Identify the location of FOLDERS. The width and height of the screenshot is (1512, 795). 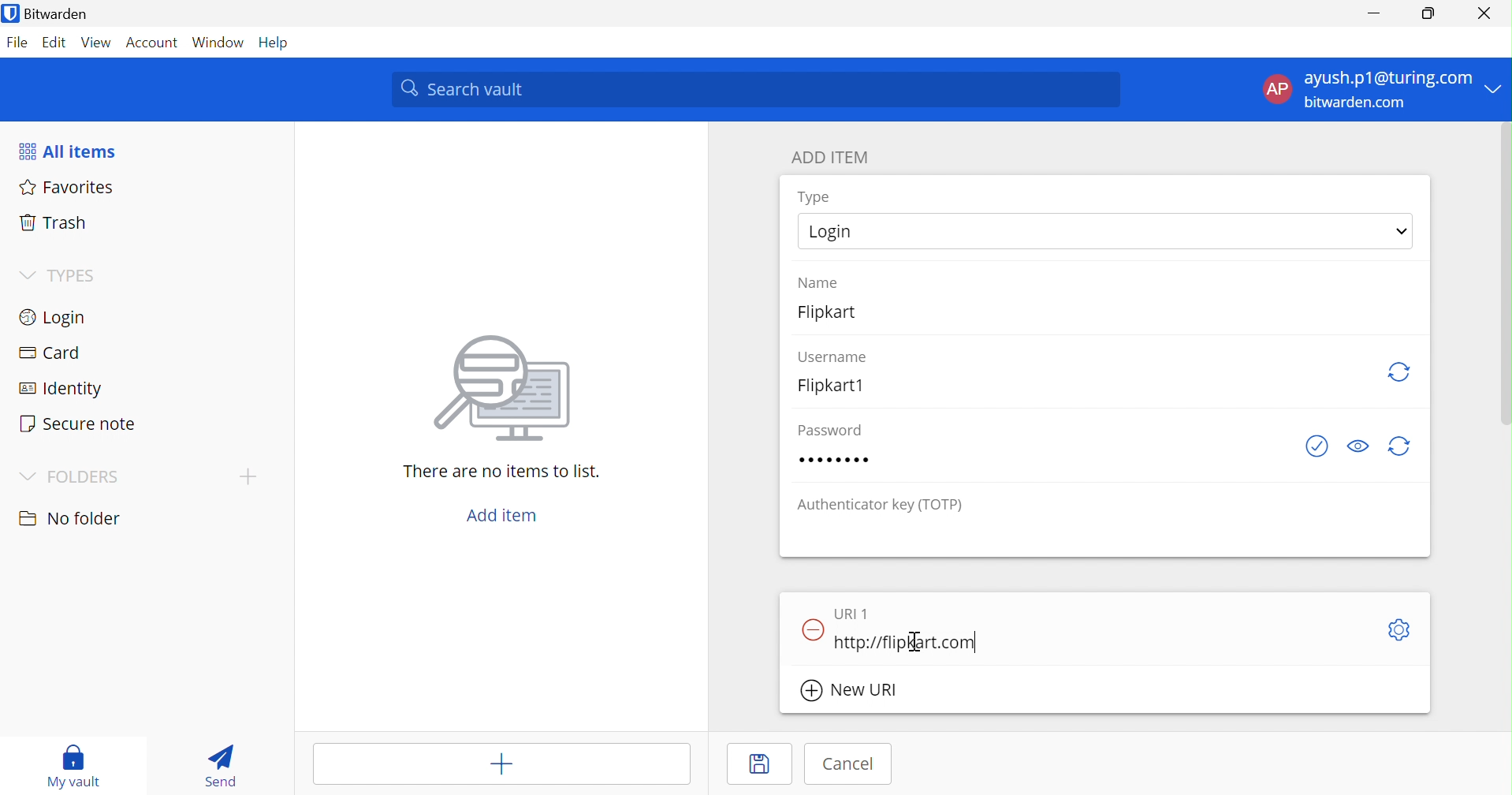
(84, 478).